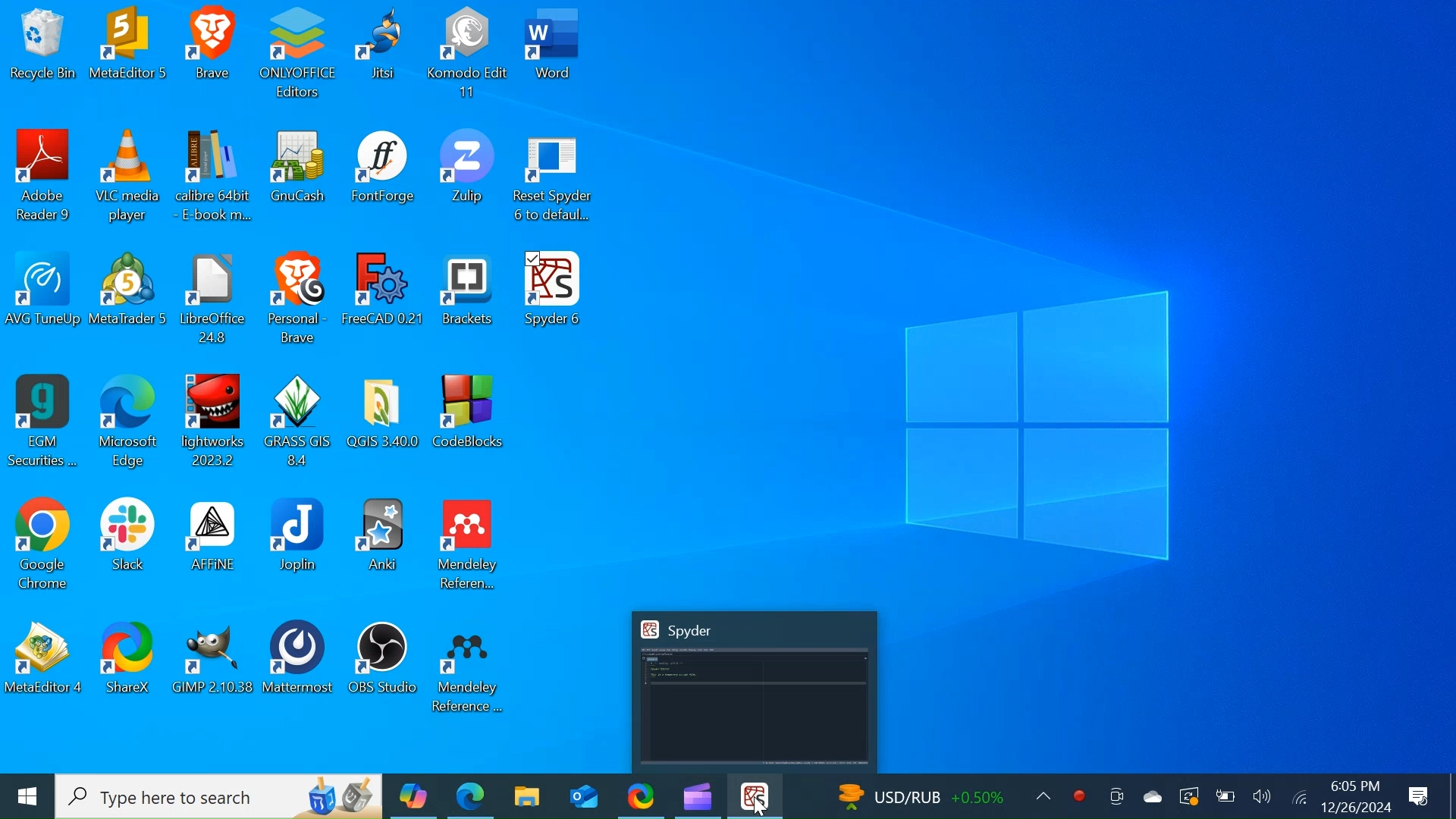 The image size is (1456, 819). What do you see at coordinates (412, 796) in the screenshot?
I see `Microsoft Copilot Desktop Icon` at bounding box center [412, 796].